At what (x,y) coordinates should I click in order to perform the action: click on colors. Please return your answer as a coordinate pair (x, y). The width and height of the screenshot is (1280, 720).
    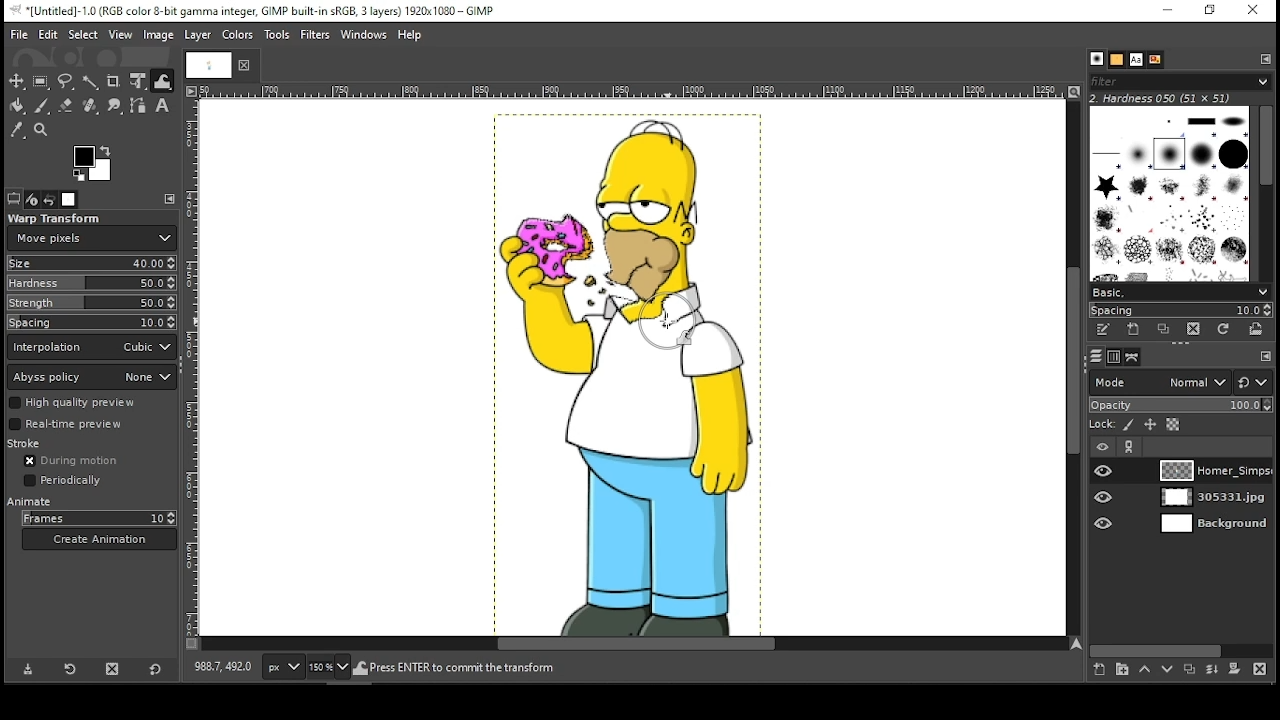
    Looking at the image, I should click on (96, 163).